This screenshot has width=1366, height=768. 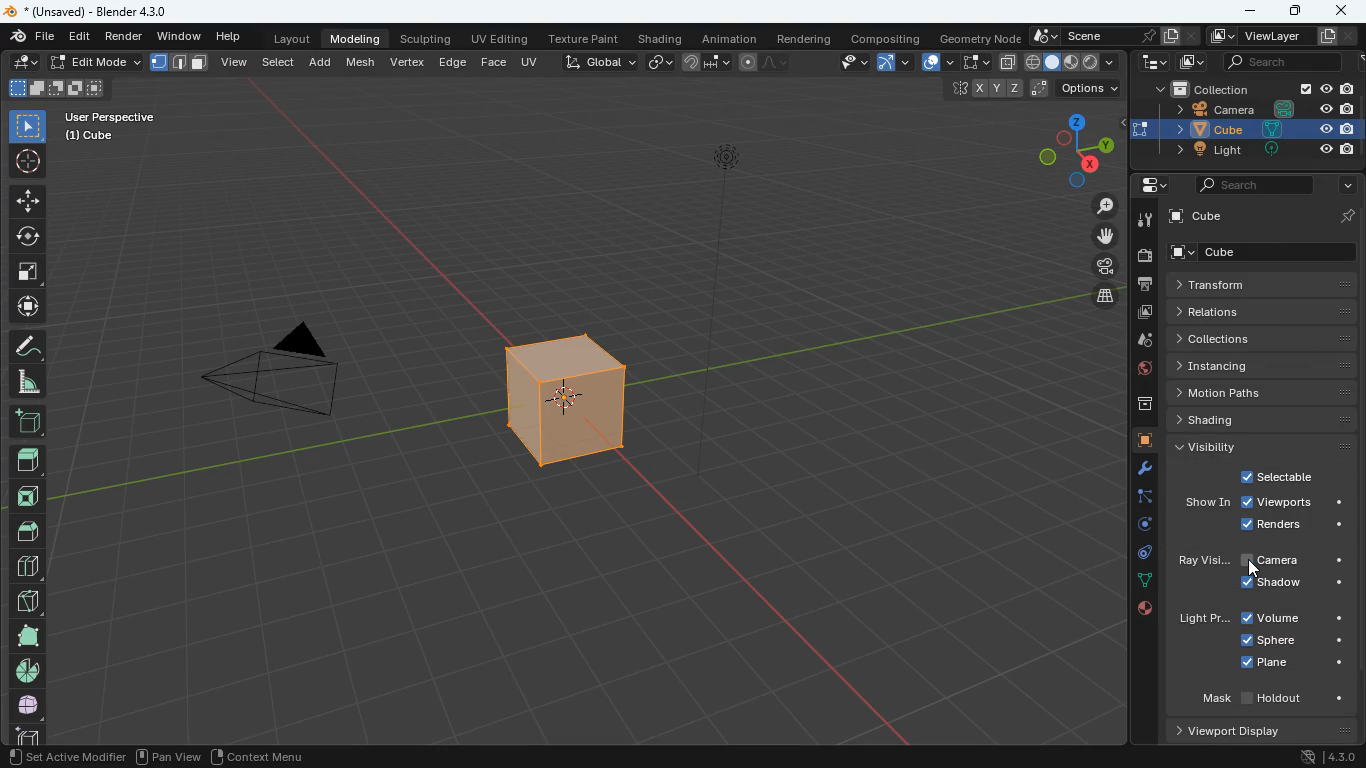 What do you see at coordinates (1299, 11) in the screenshot?
I see `maximize` at bounding box center [1299, 11].